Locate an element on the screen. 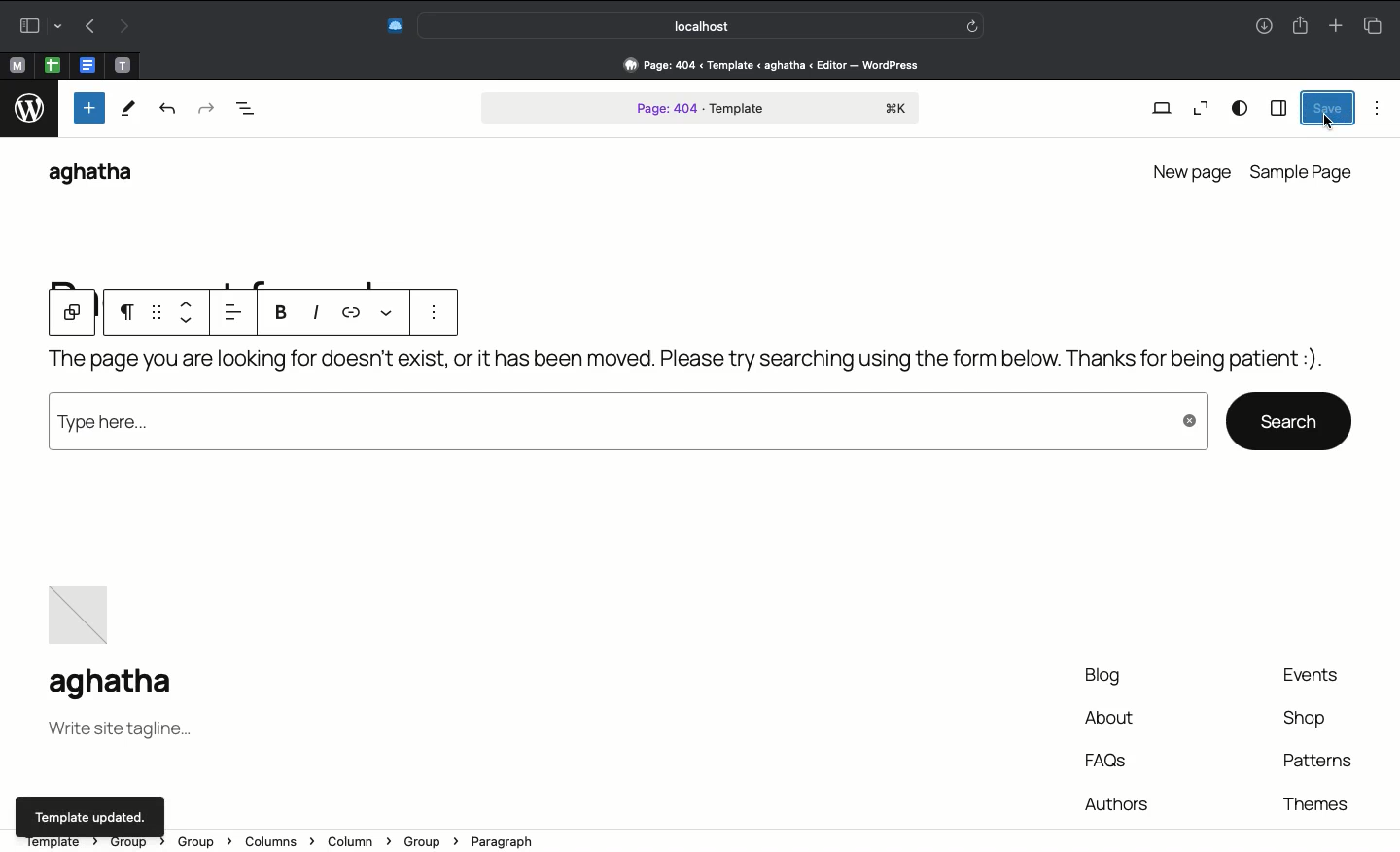 This screenshot has height=852, width=1400. Downlaods is located at coordinates (1264, 28).